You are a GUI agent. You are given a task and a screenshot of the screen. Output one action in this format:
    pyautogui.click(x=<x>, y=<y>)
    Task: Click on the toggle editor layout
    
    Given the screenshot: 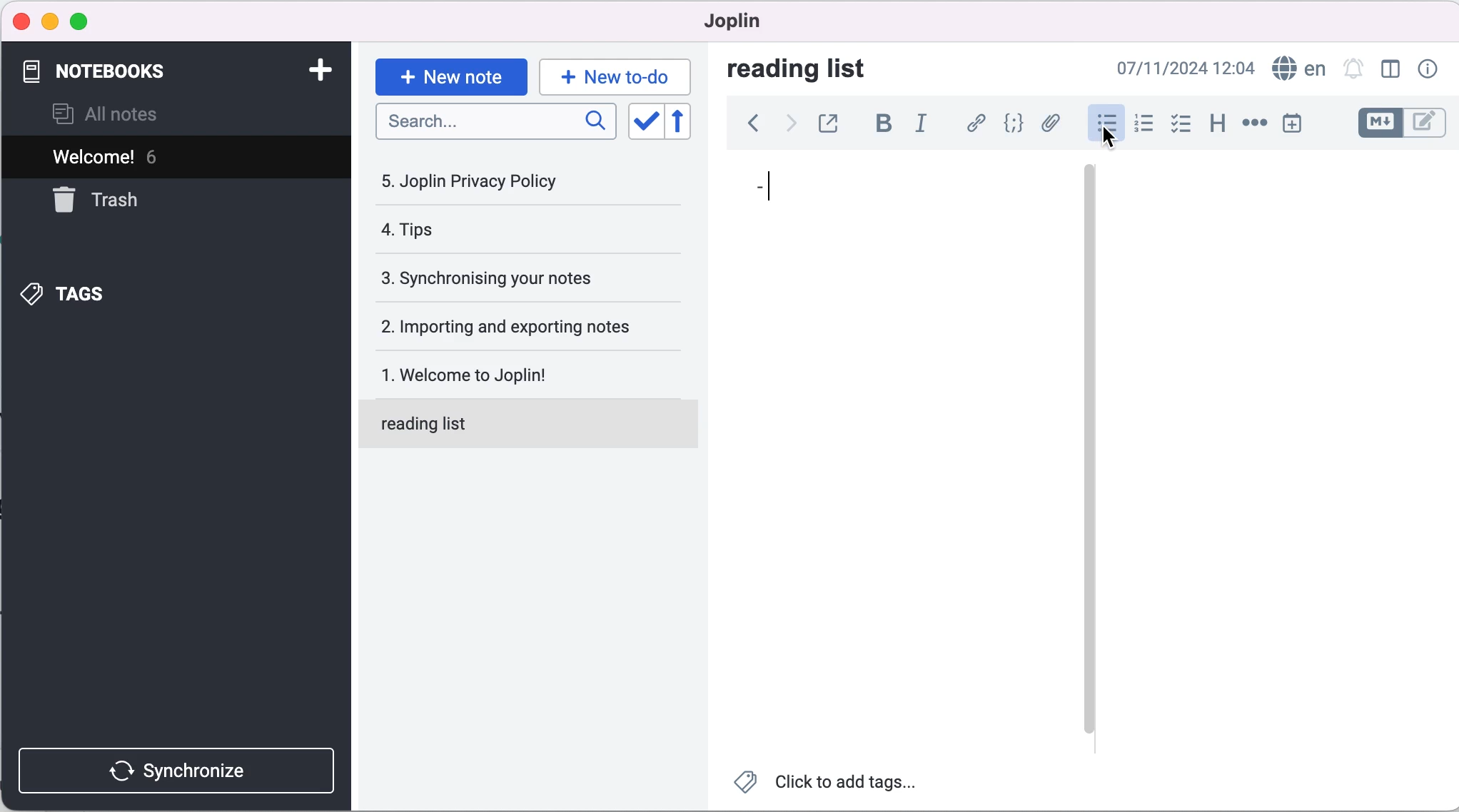 What is the action you would take?
    pyautogui.click(x=1387, y=70)
    